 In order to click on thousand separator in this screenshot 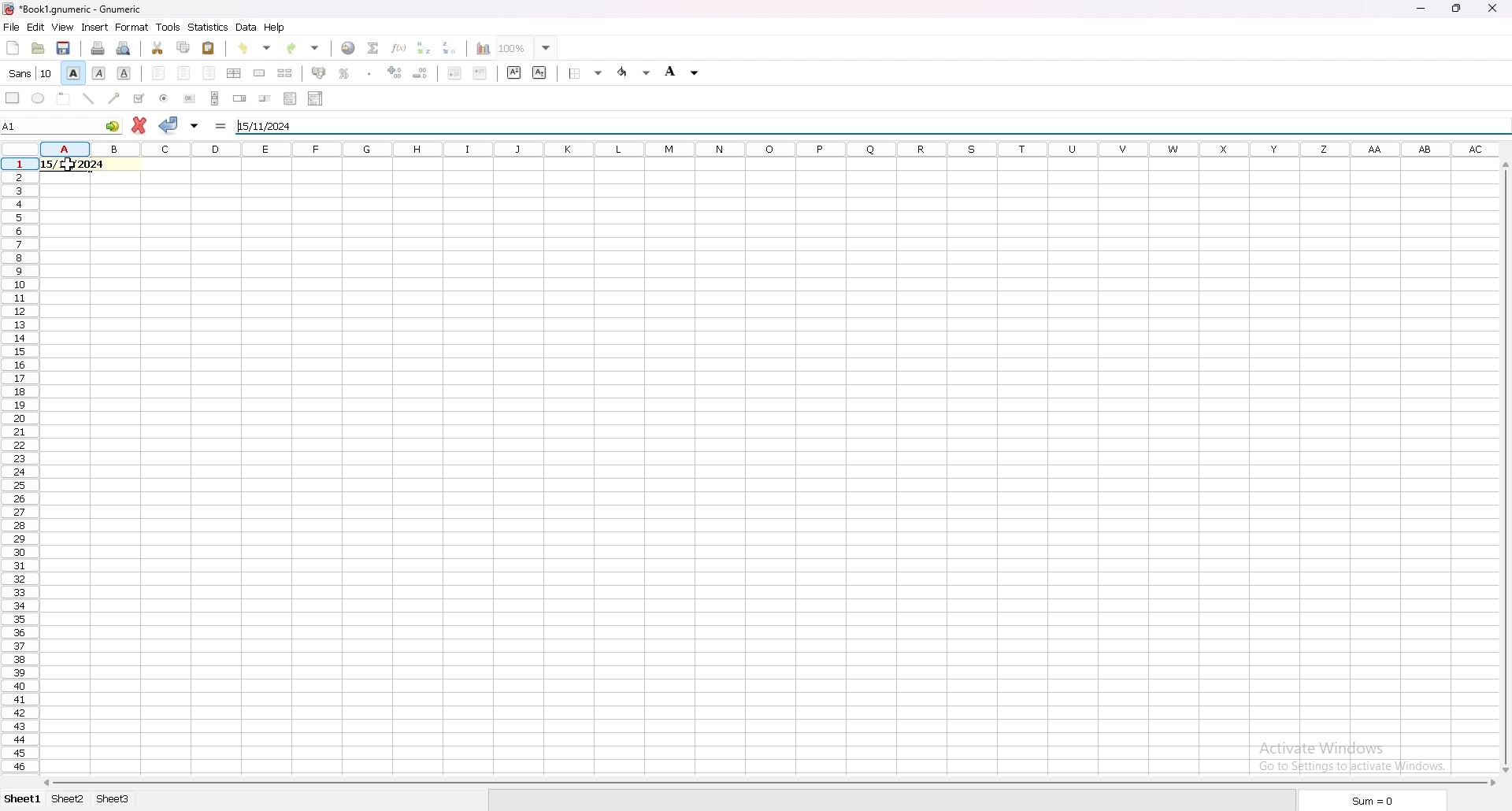, I will do `click(369, 73)`.